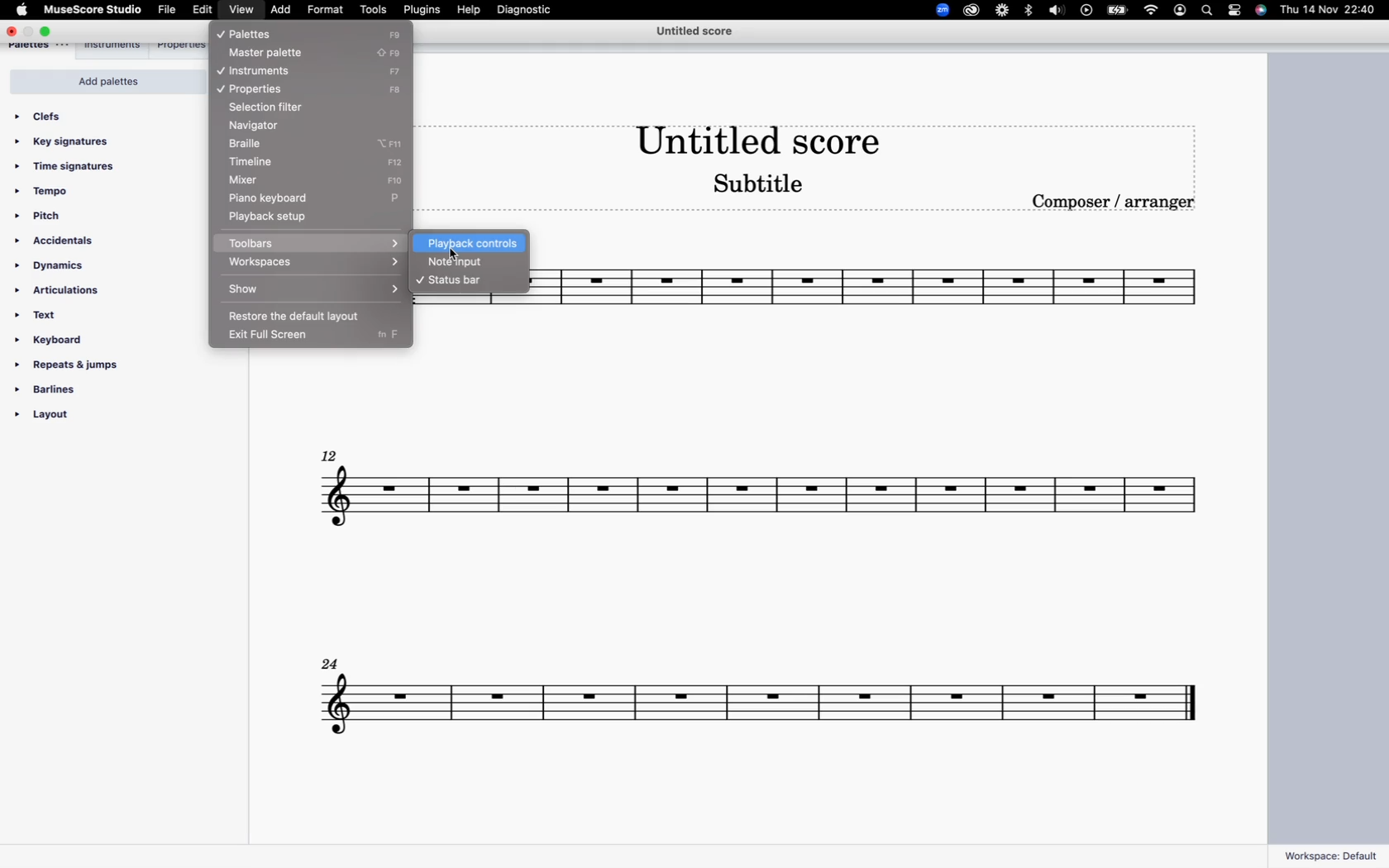 The width and height of the screenshot is (1389, 868). I want to click on mixer, so click(293, 180).